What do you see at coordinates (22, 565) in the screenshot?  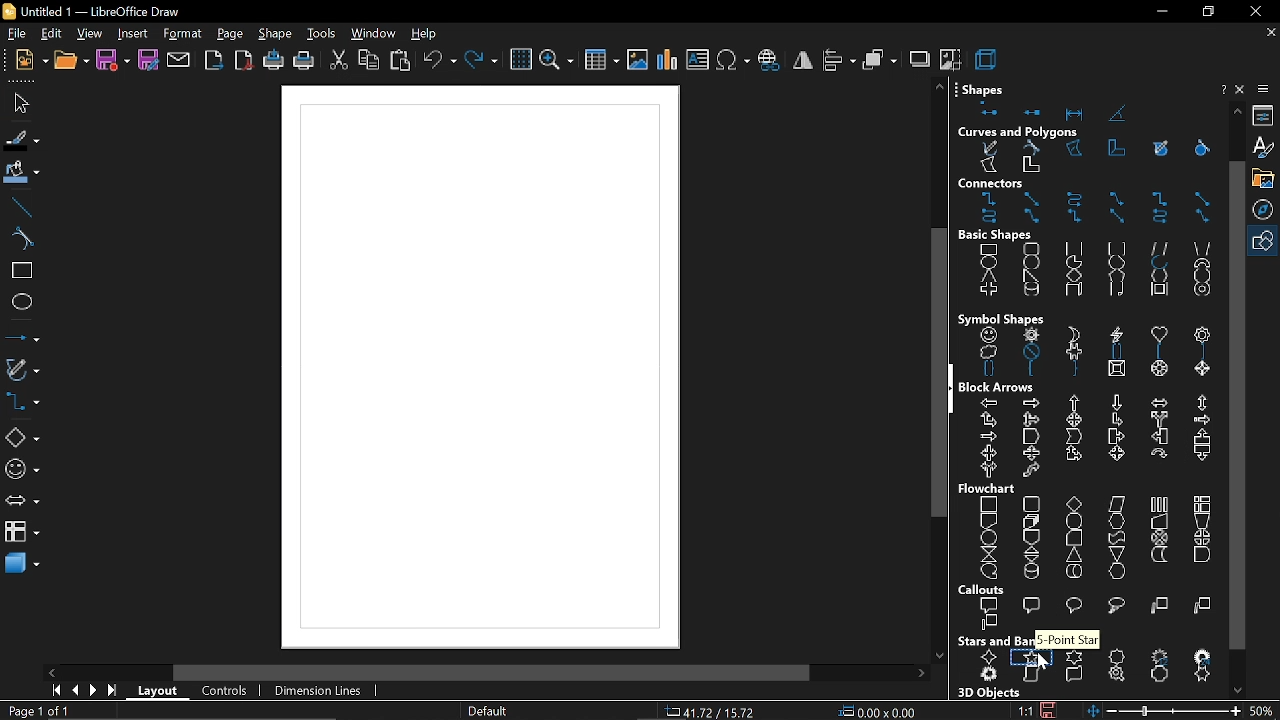 I see `3d shapes` at bounding box center [22, 565].